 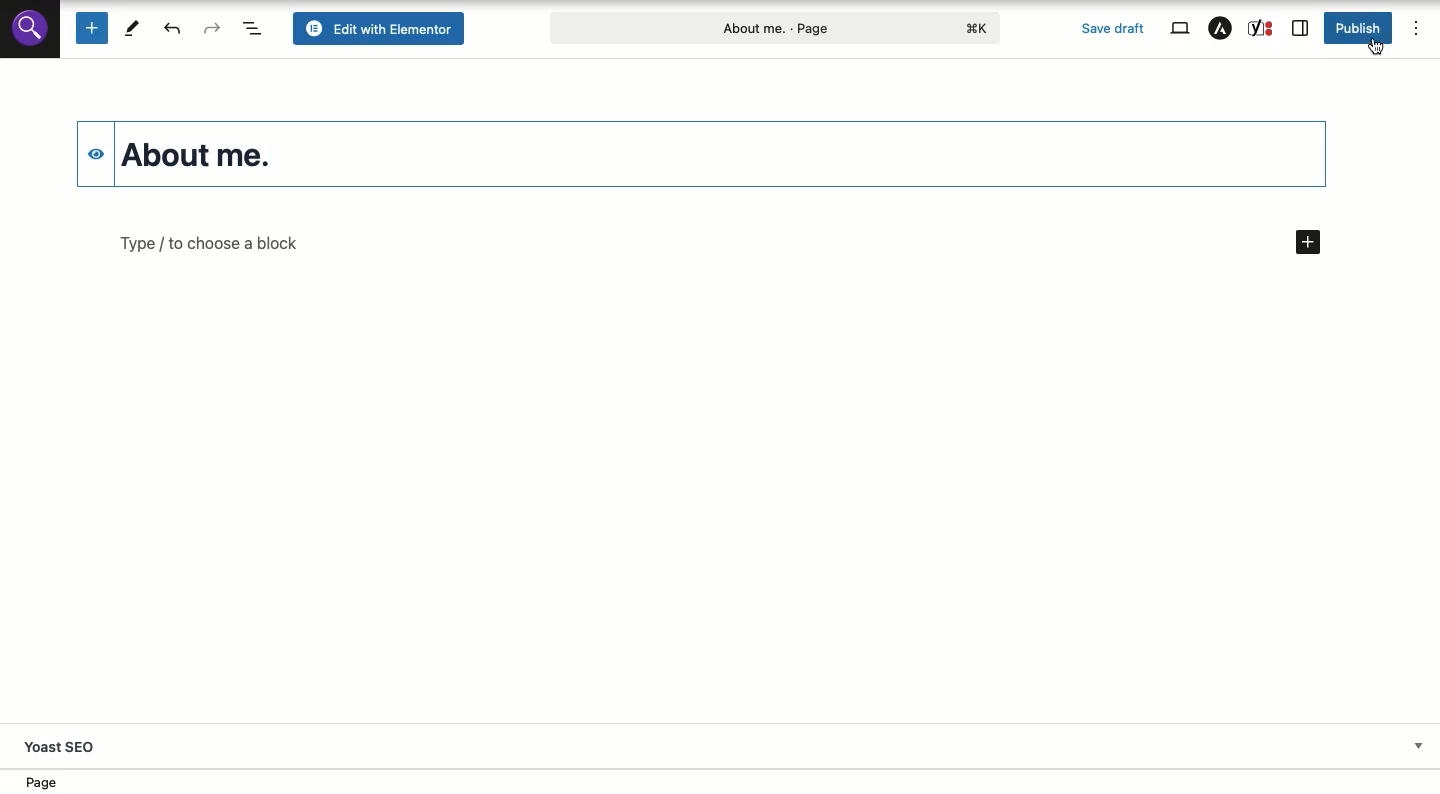 What do you see at coordinates (91, 150) in the screenshot?
I see `Hide` at bounding box center [91, 150].